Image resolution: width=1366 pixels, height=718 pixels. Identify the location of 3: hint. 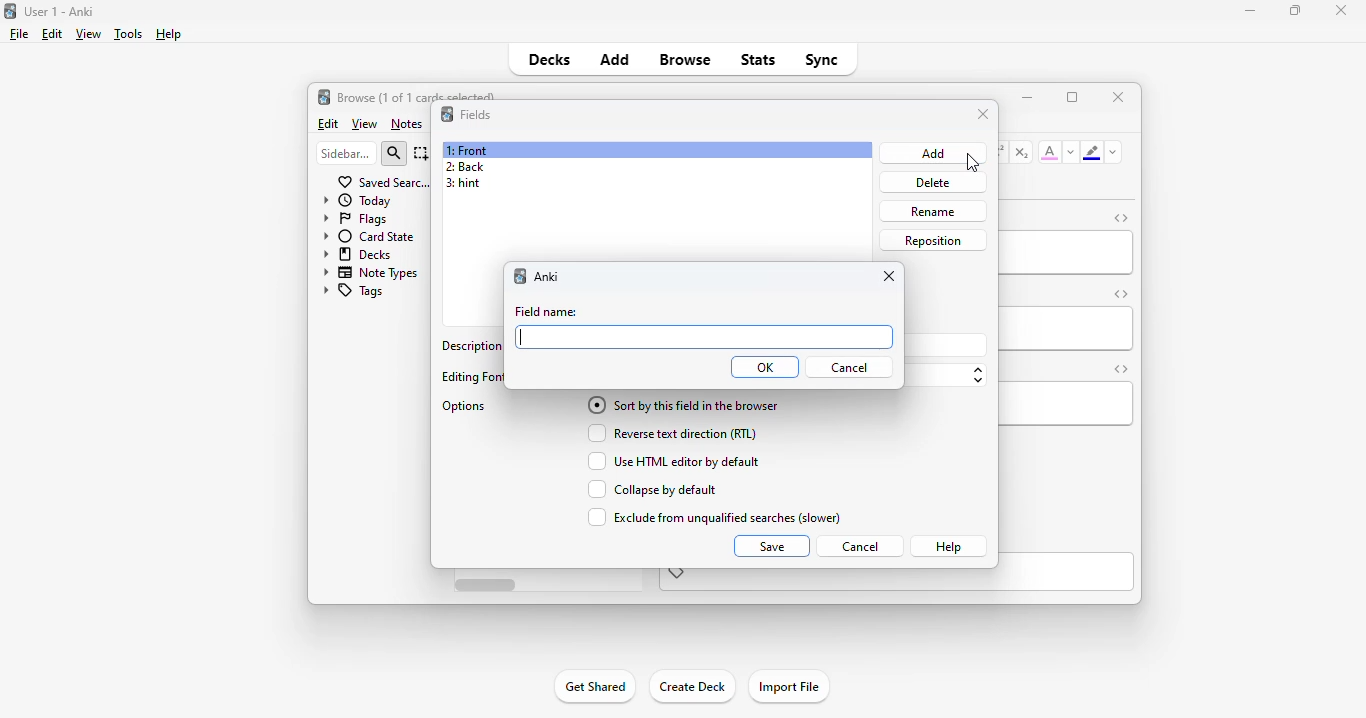
(462, 184).